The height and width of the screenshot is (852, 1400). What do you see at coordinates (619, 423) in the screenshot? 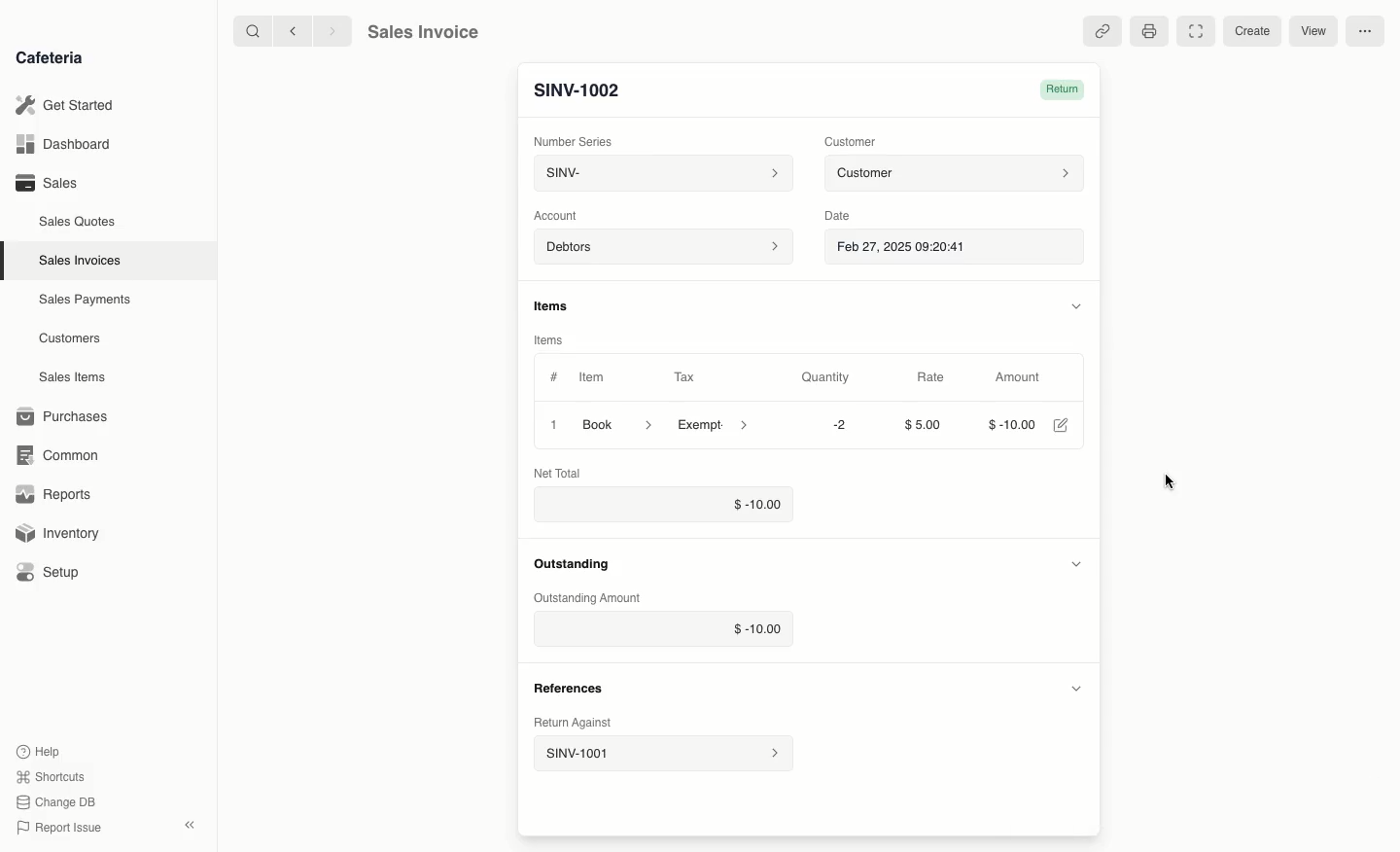
I see `Book >` at bounding box center [619, 423].